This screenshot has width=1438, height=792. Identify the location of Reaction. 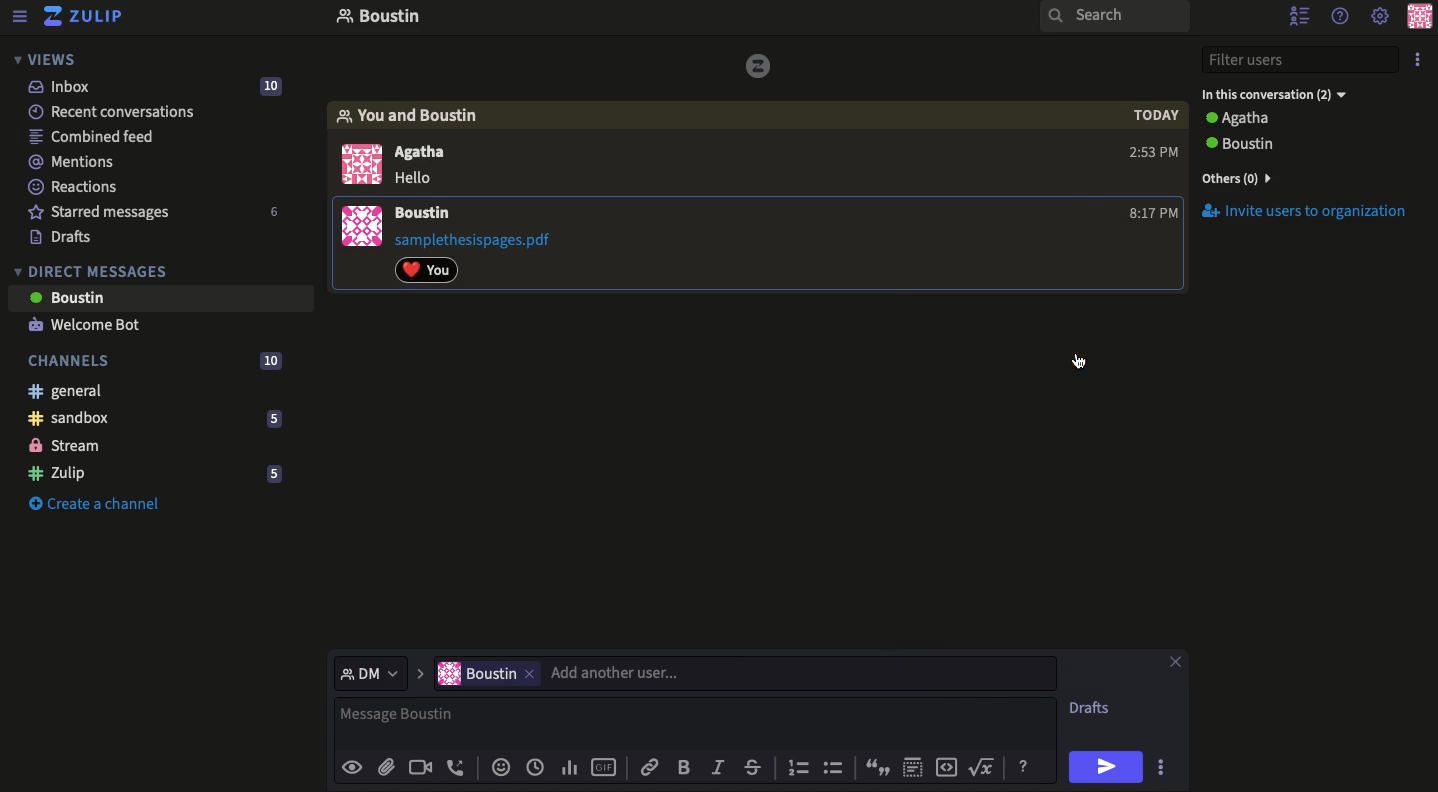
(500, 766).